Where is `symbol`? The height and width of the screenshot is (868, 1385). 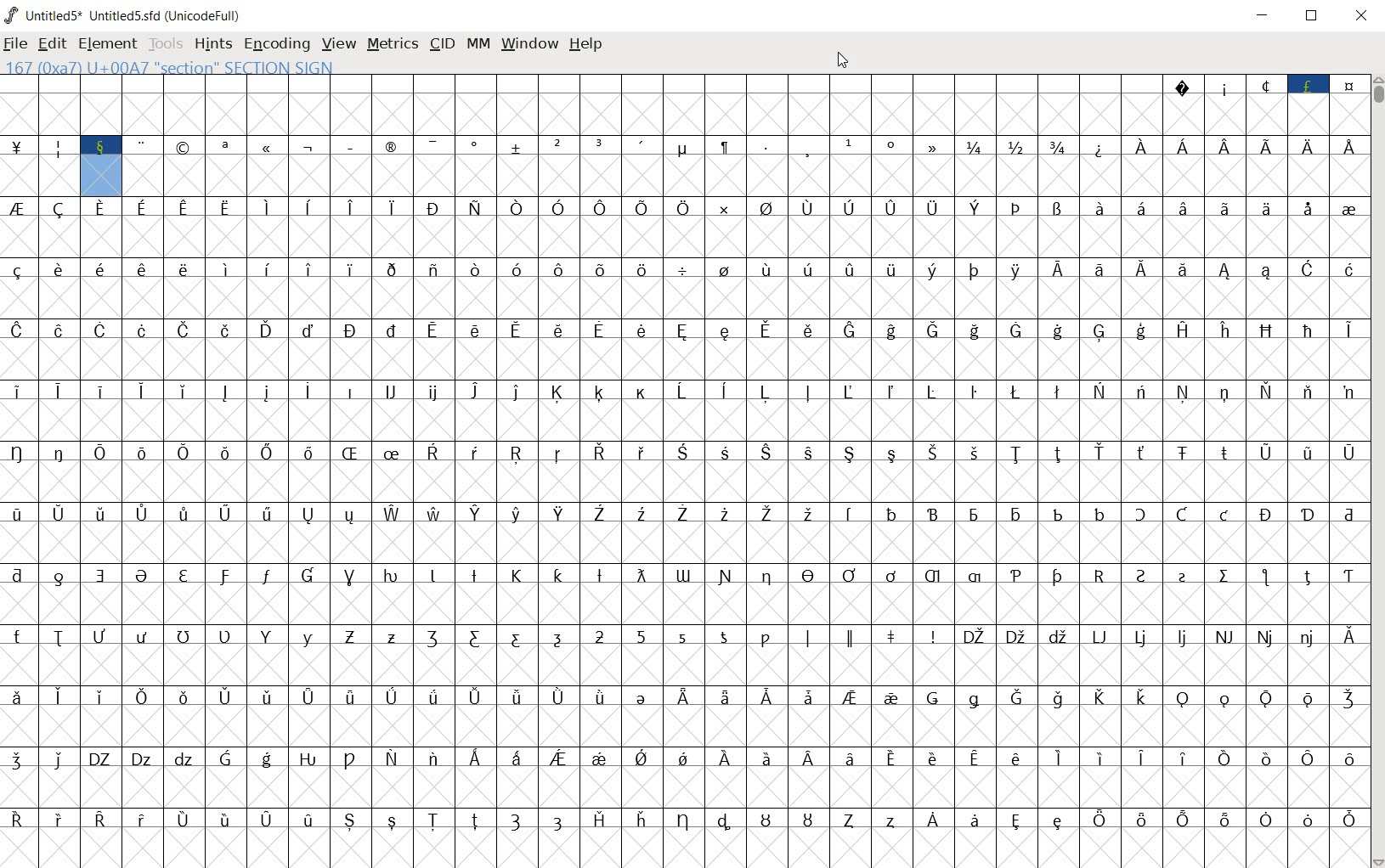
symbol is located at coordinates (1346, 228).